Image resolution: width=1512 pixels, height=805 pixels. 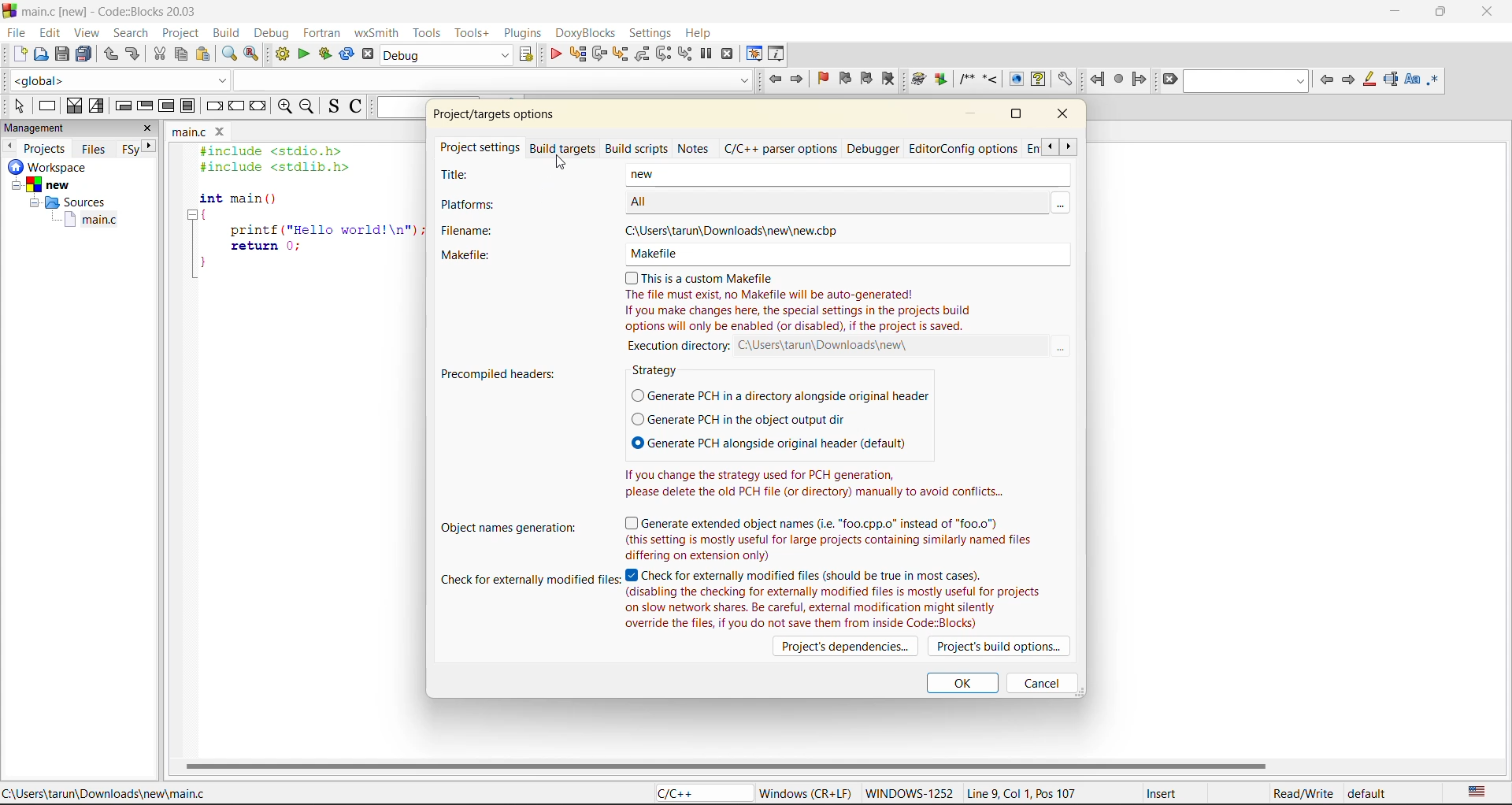 I want to click on Insert a line comment at the current cursor position, so click(x=989, y=79).